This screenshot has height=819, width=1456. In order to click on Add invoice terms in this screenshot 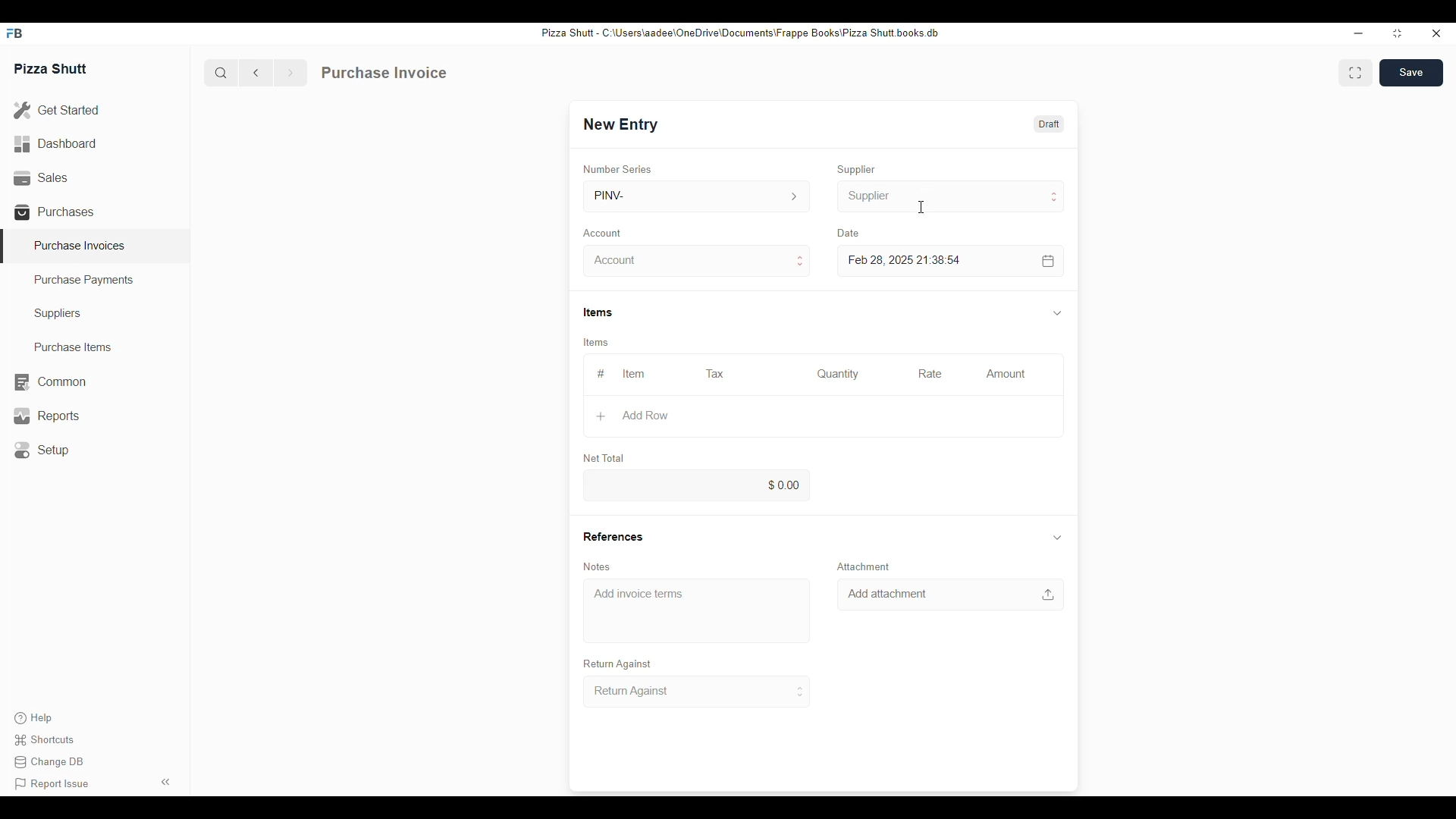, I will do `click(638, 594)`.